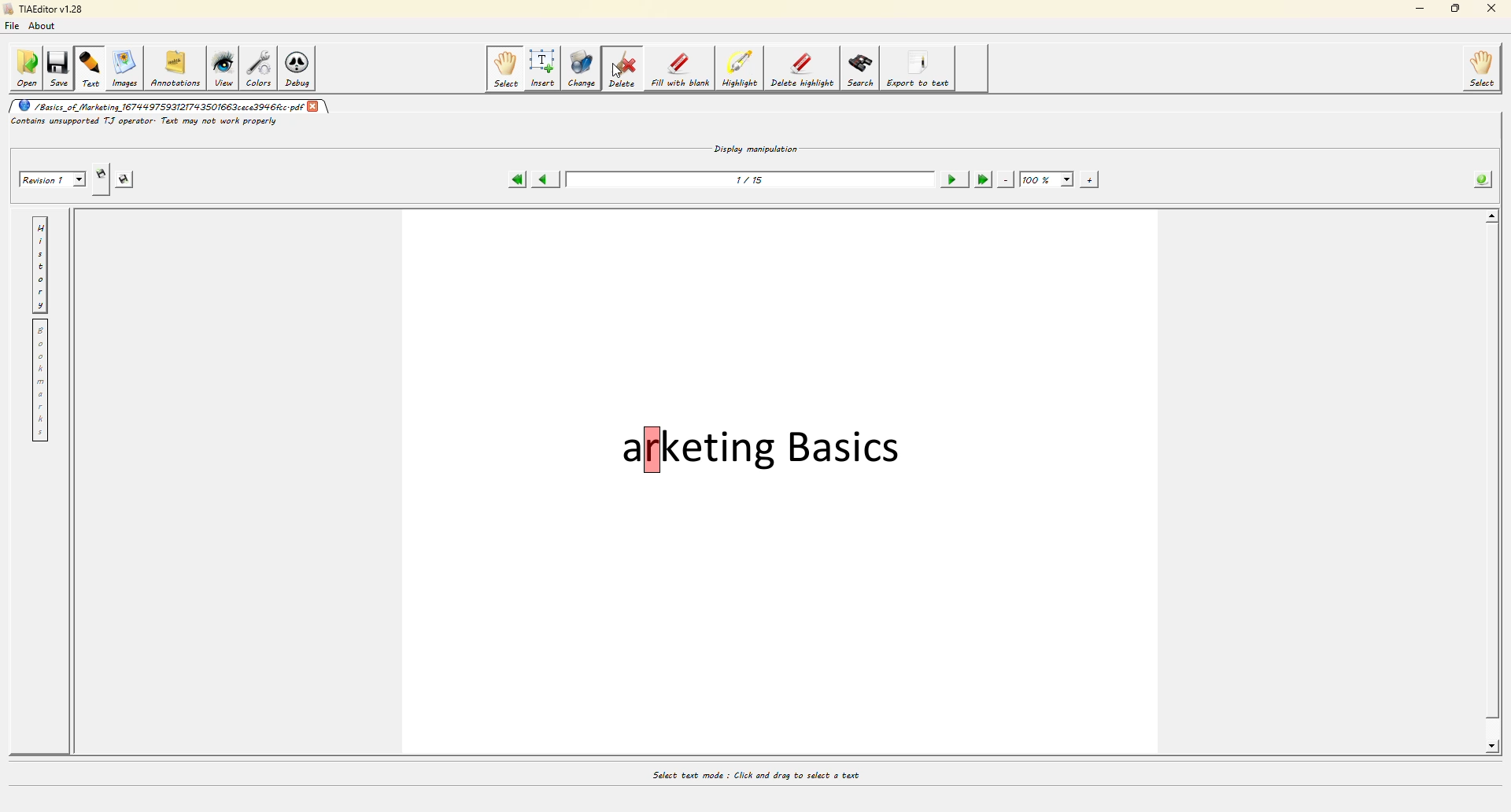 This screenshot has width=1511, height=812. I want to click on revision, so click(50, 178).